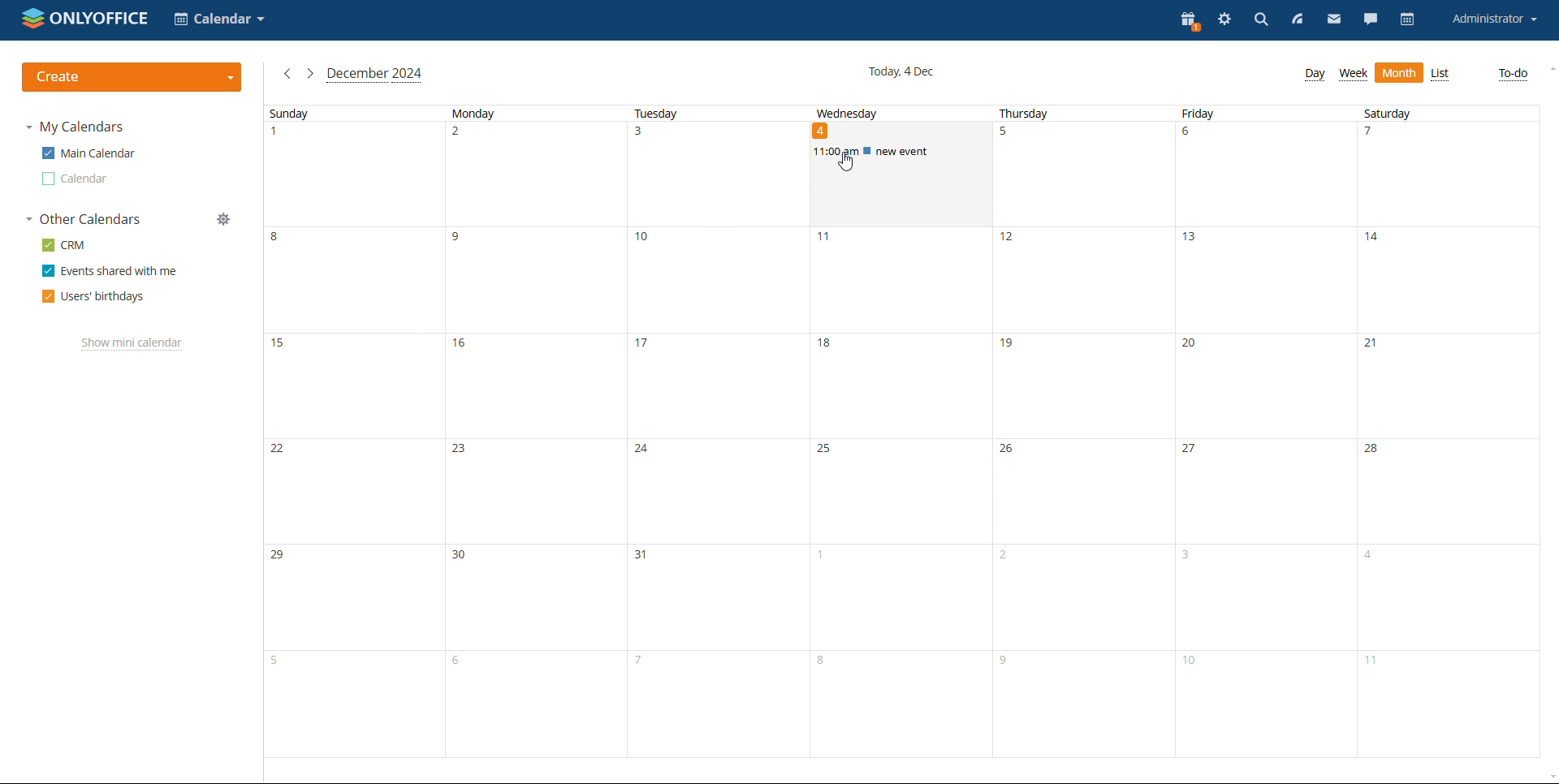  I want to click on crm, so click(64, 244).